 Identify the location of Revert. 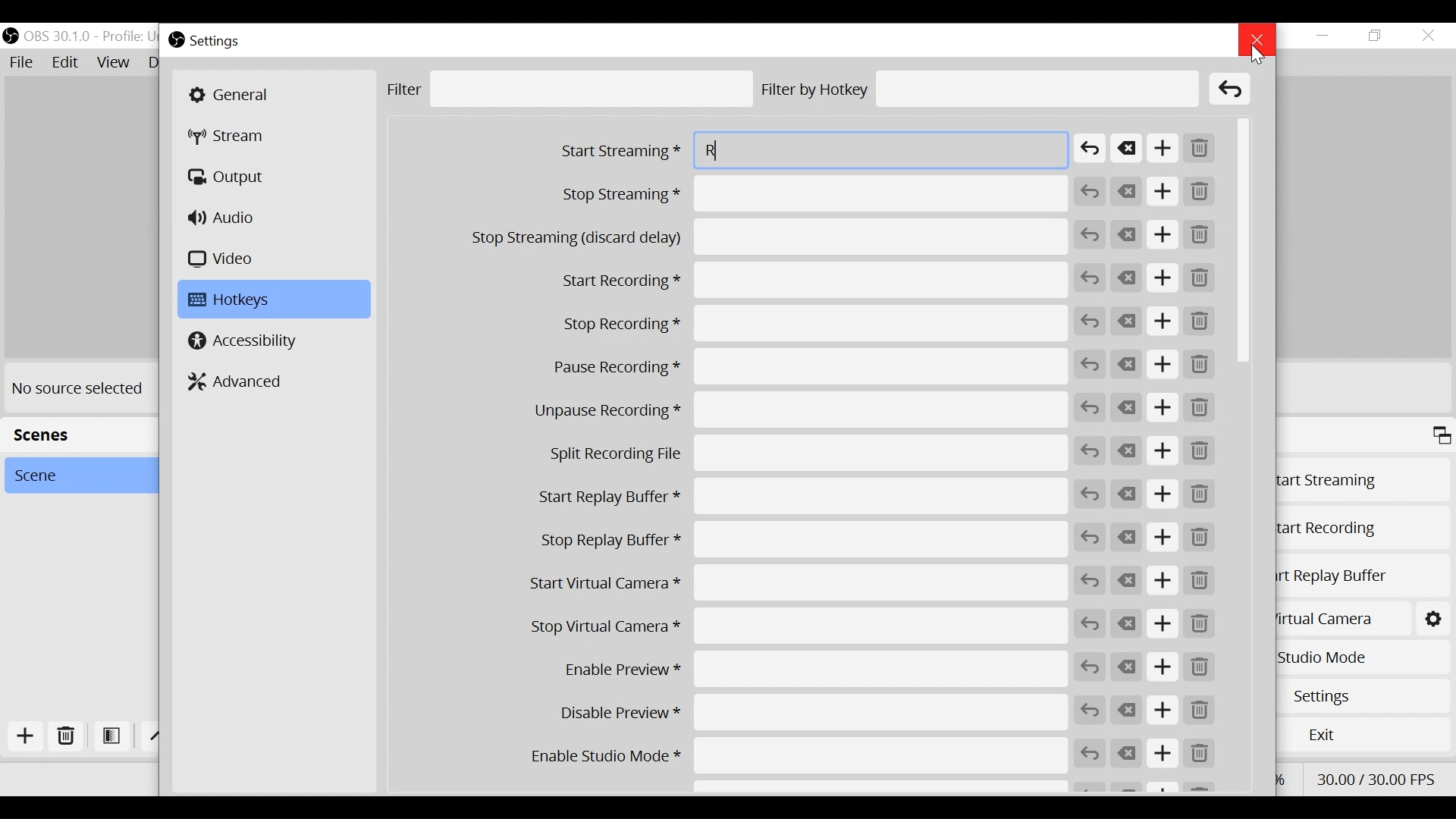
(1089, 667).